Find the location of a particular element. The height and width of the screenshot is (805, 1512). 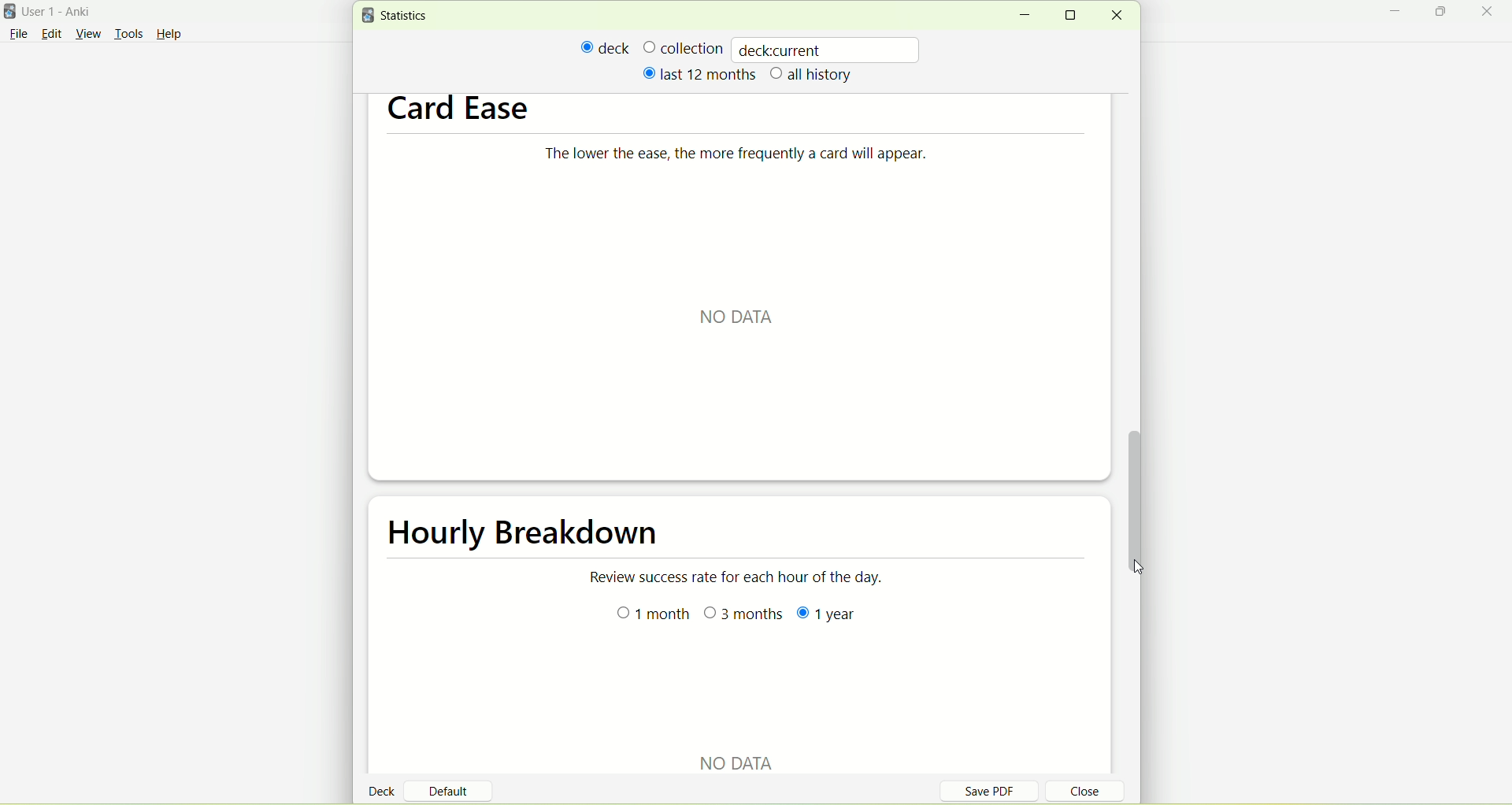

deckcurrent is located at coordinates (828, 49).